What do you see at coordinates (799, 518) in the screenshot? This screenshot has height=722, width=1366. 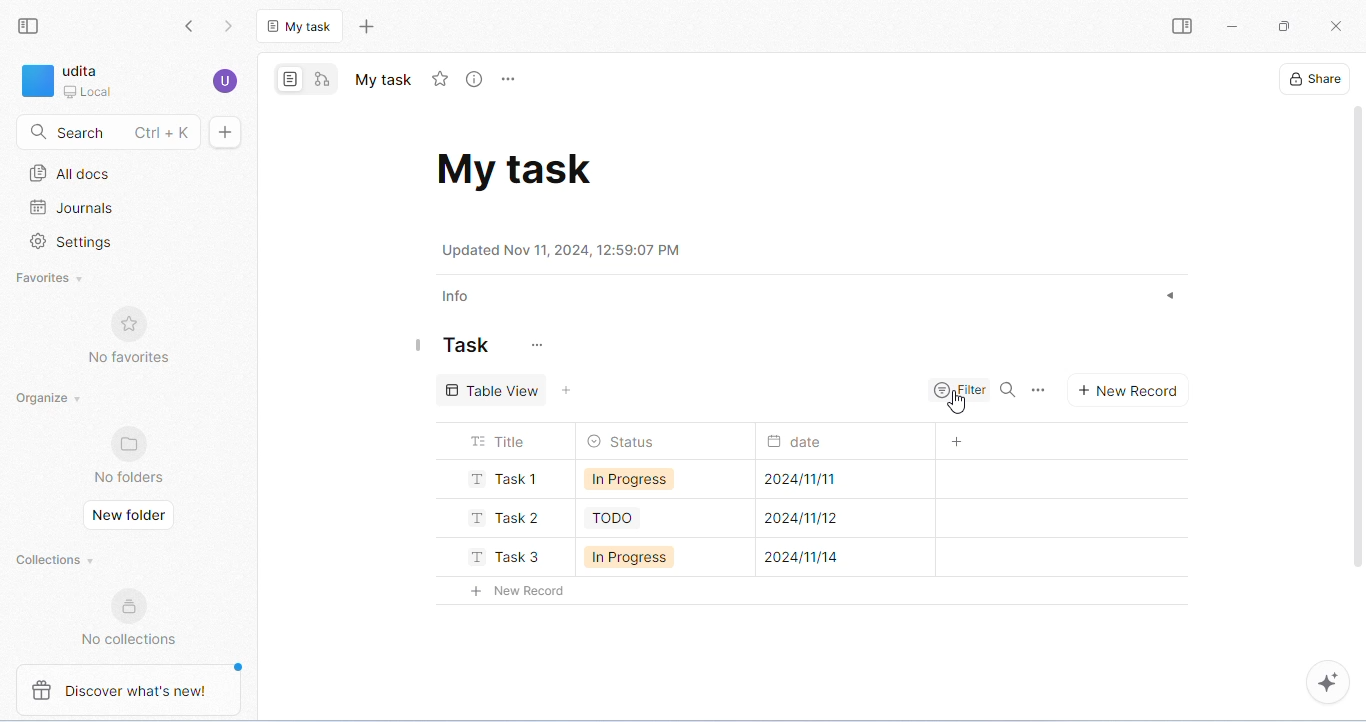 I see `submission date for task2` at bounding box center [799, 518].